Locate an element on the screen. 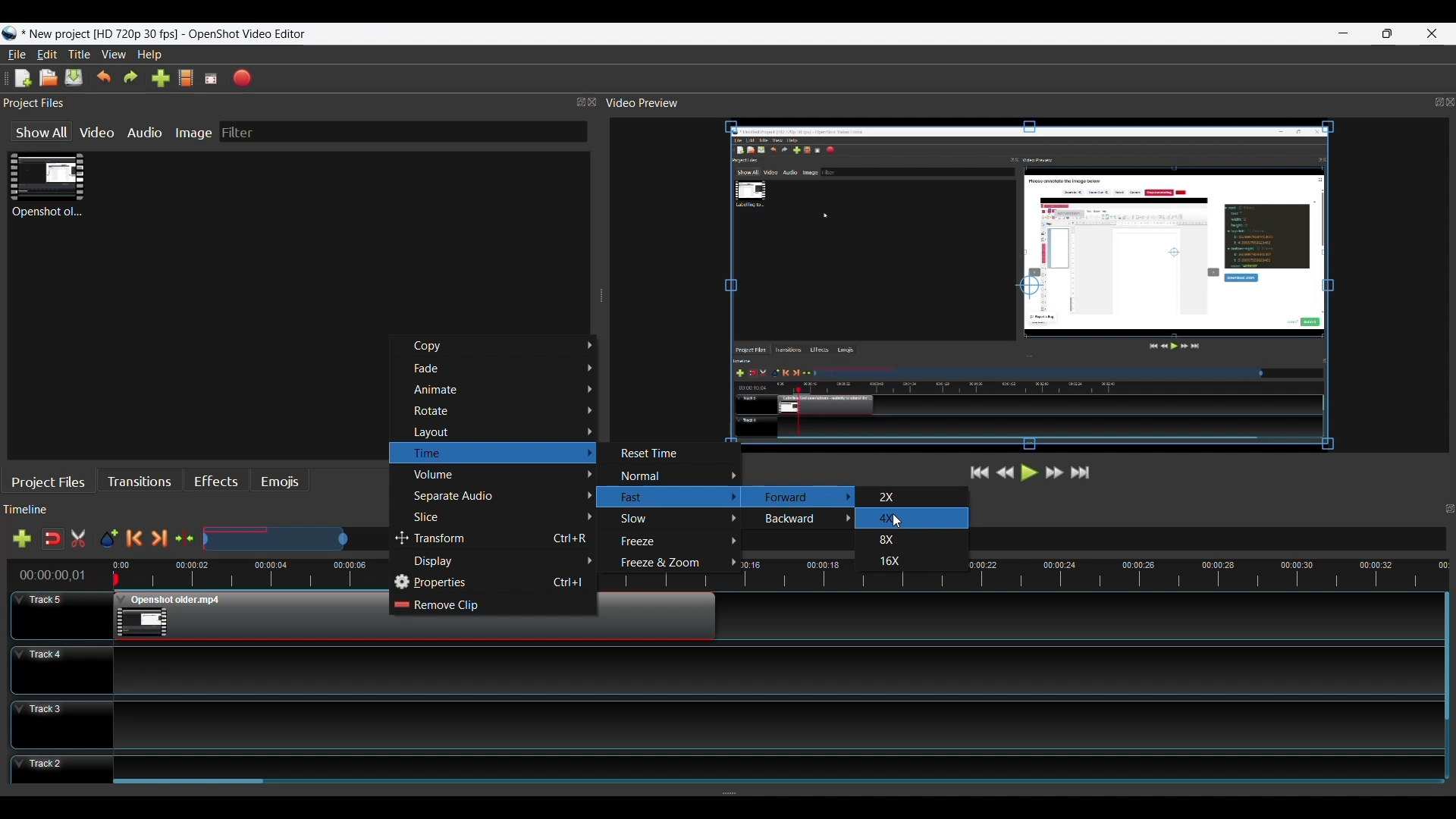 This screenshot has height=819, width=1456. 2X is located at coordinates (891, 496).